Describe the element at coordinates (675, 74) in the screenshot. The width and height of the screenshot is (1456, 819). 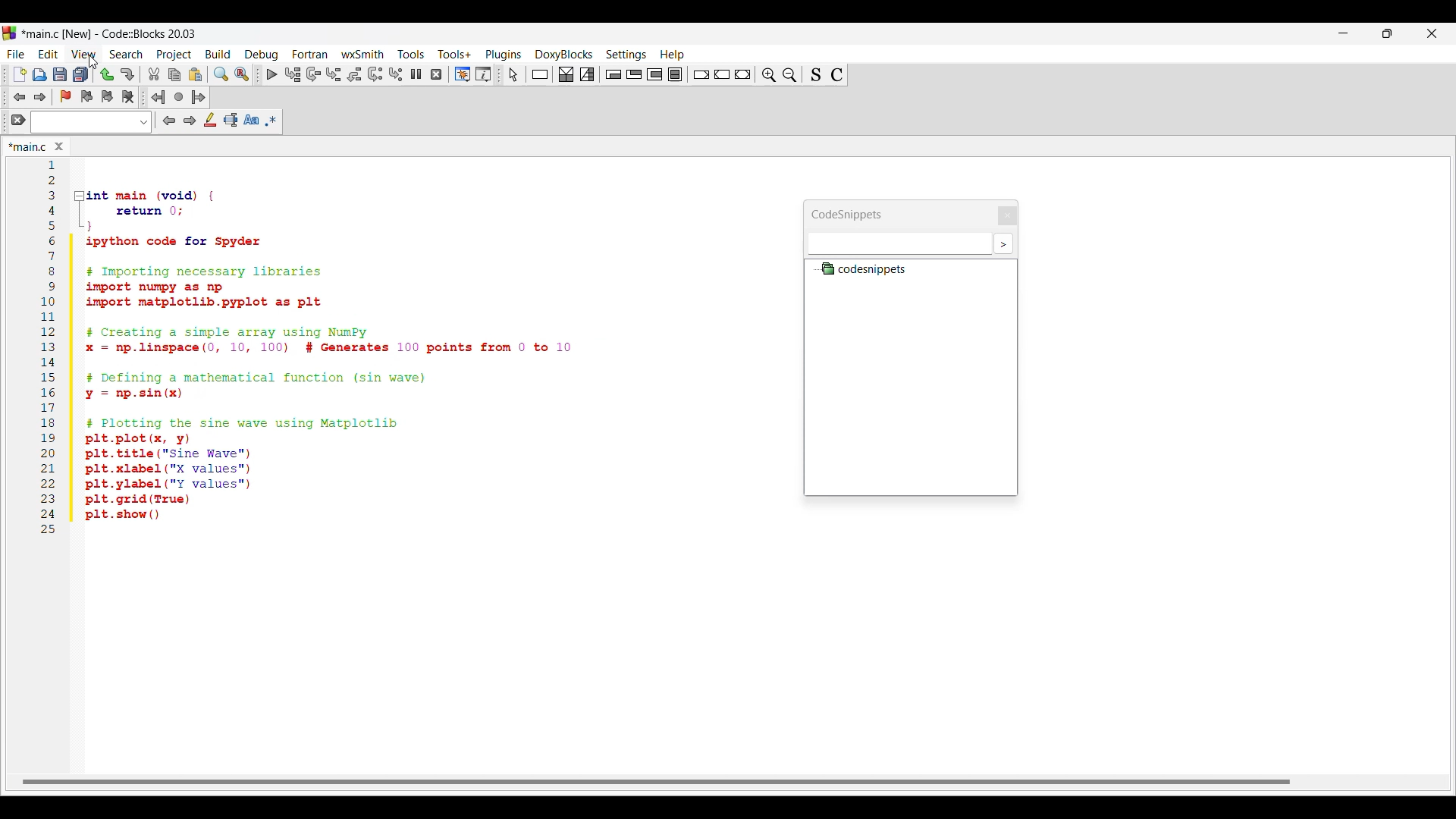
I see `Block instruction` at that location.